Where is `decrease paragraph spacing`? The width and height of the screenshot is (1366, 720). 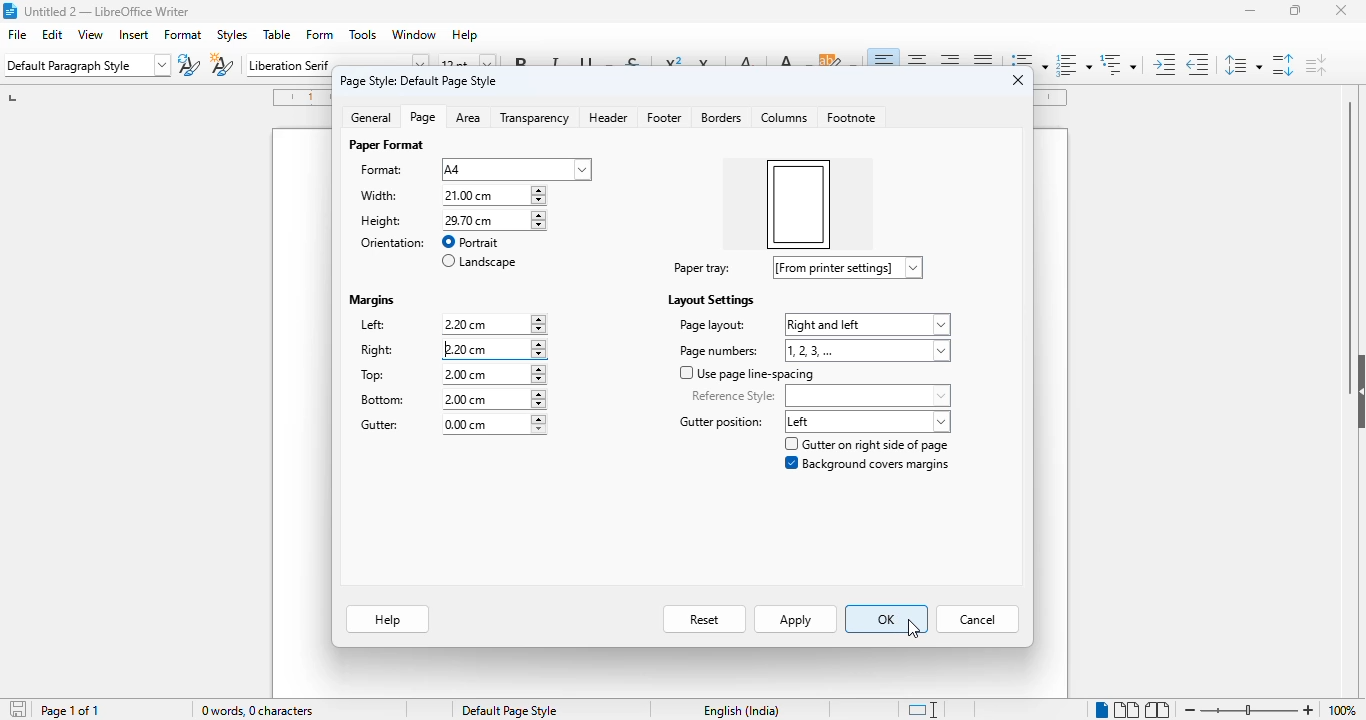
decrease paragraph spacing is located at coordinates (1316, 64).